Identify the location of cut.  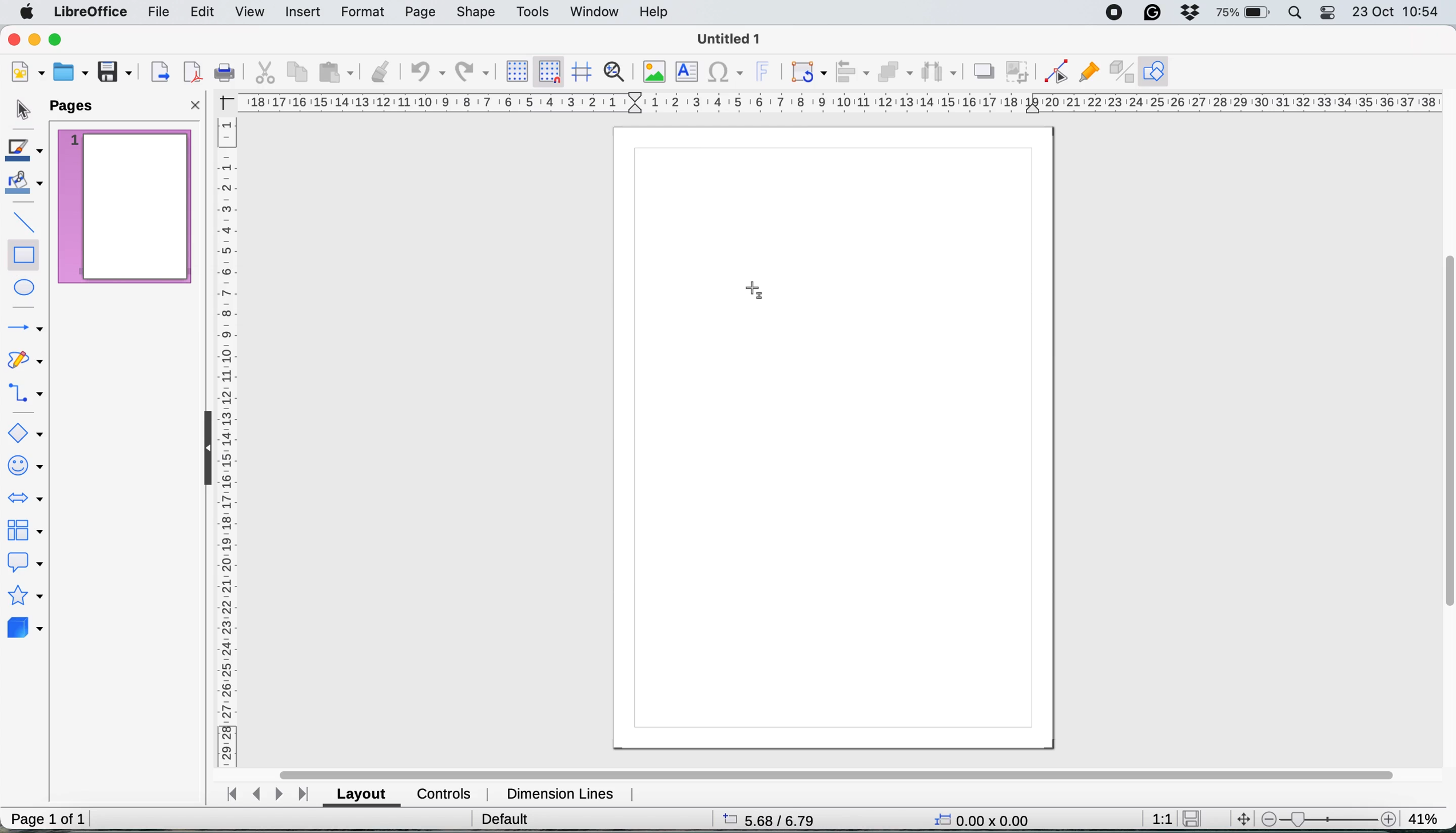
(263, 72).